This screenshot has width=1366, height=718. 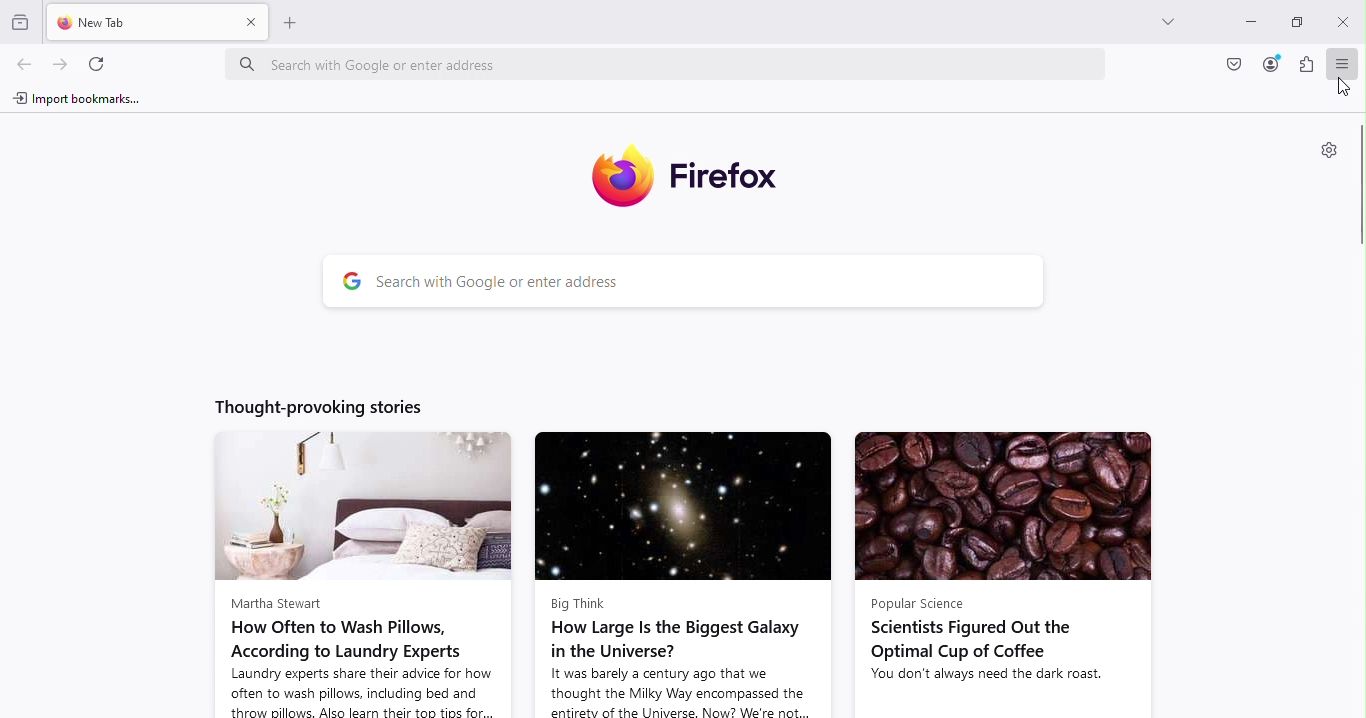 I want to click on Open a new tab, so click(x=295, y=23).